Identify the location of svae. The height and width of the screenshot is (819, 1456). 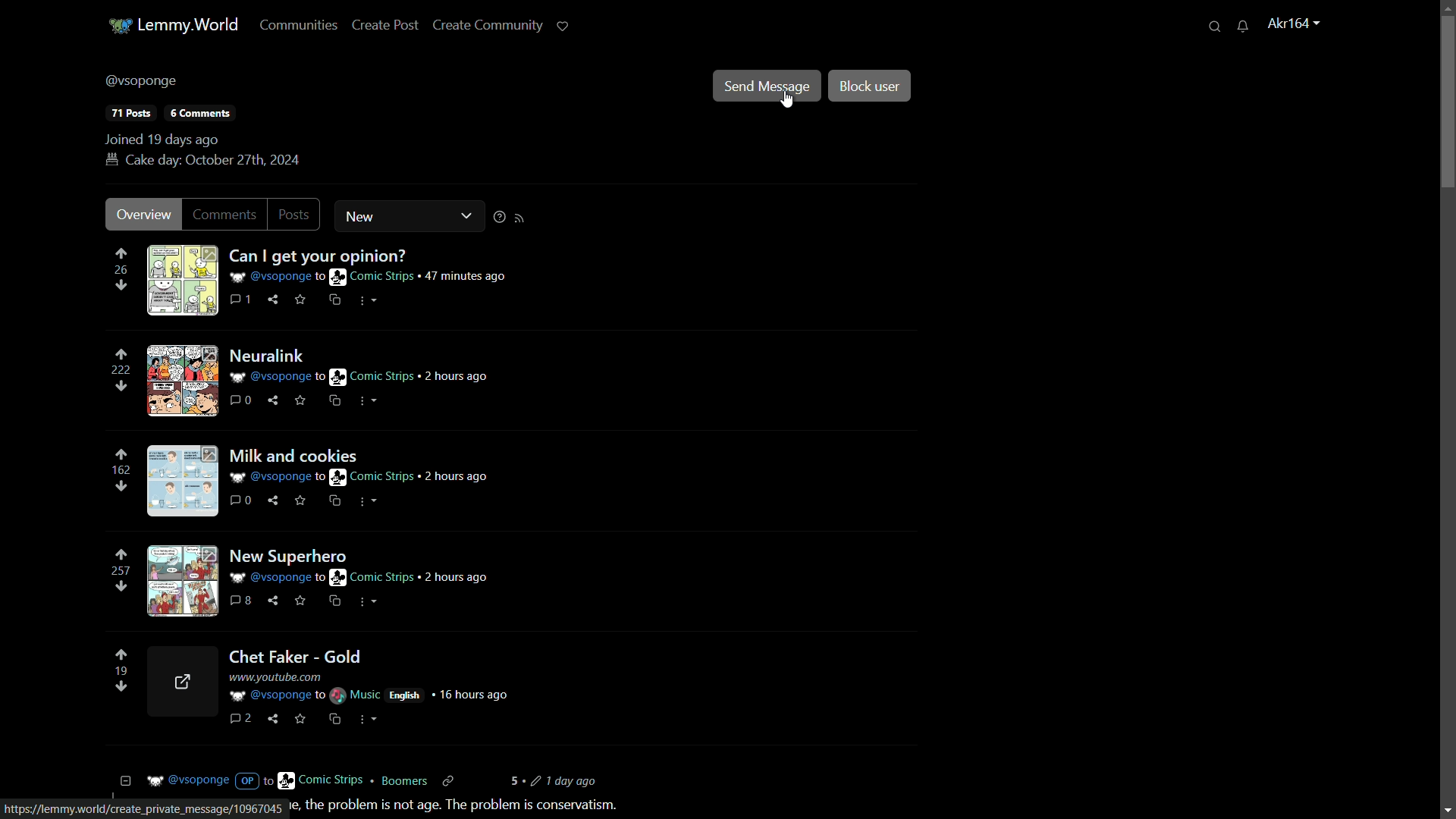
(302, 300).